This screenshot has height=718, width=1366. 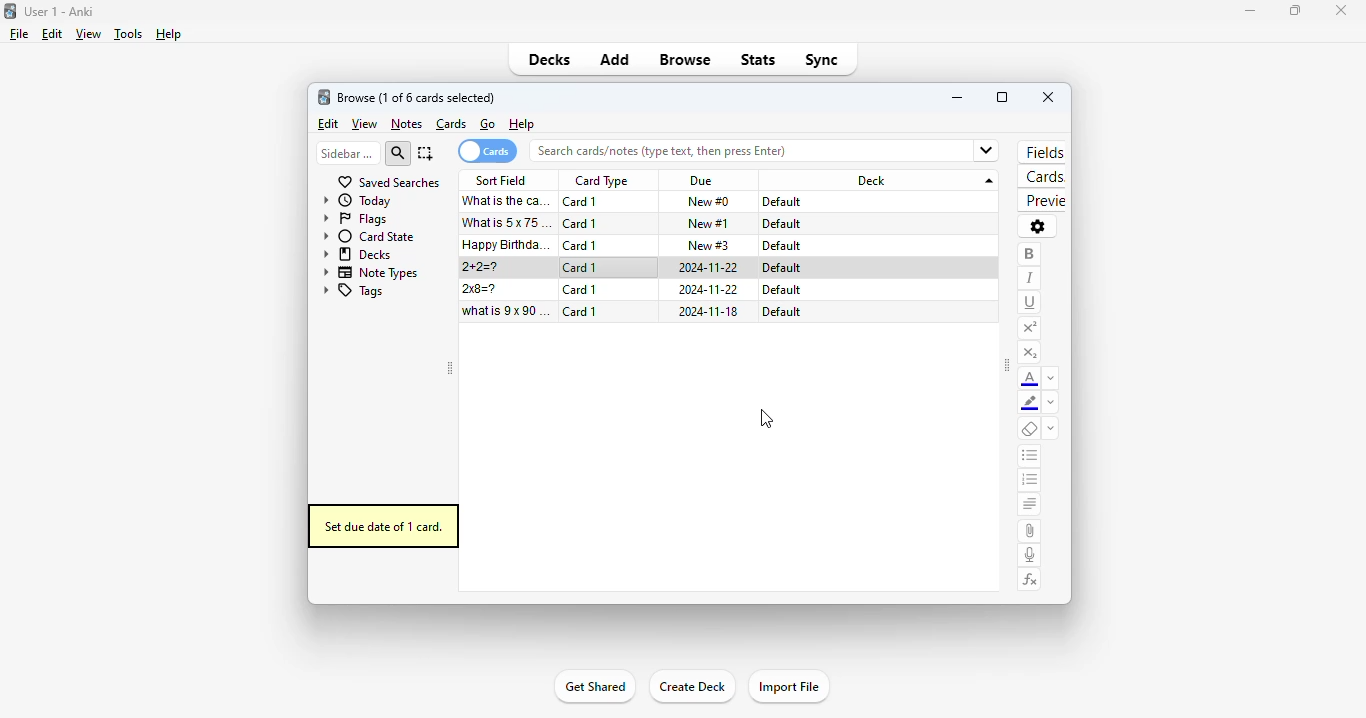 What do you see at coordinates (1029, 278) in the screenshot?
I see `italic` at bounding box center [1029, 278].